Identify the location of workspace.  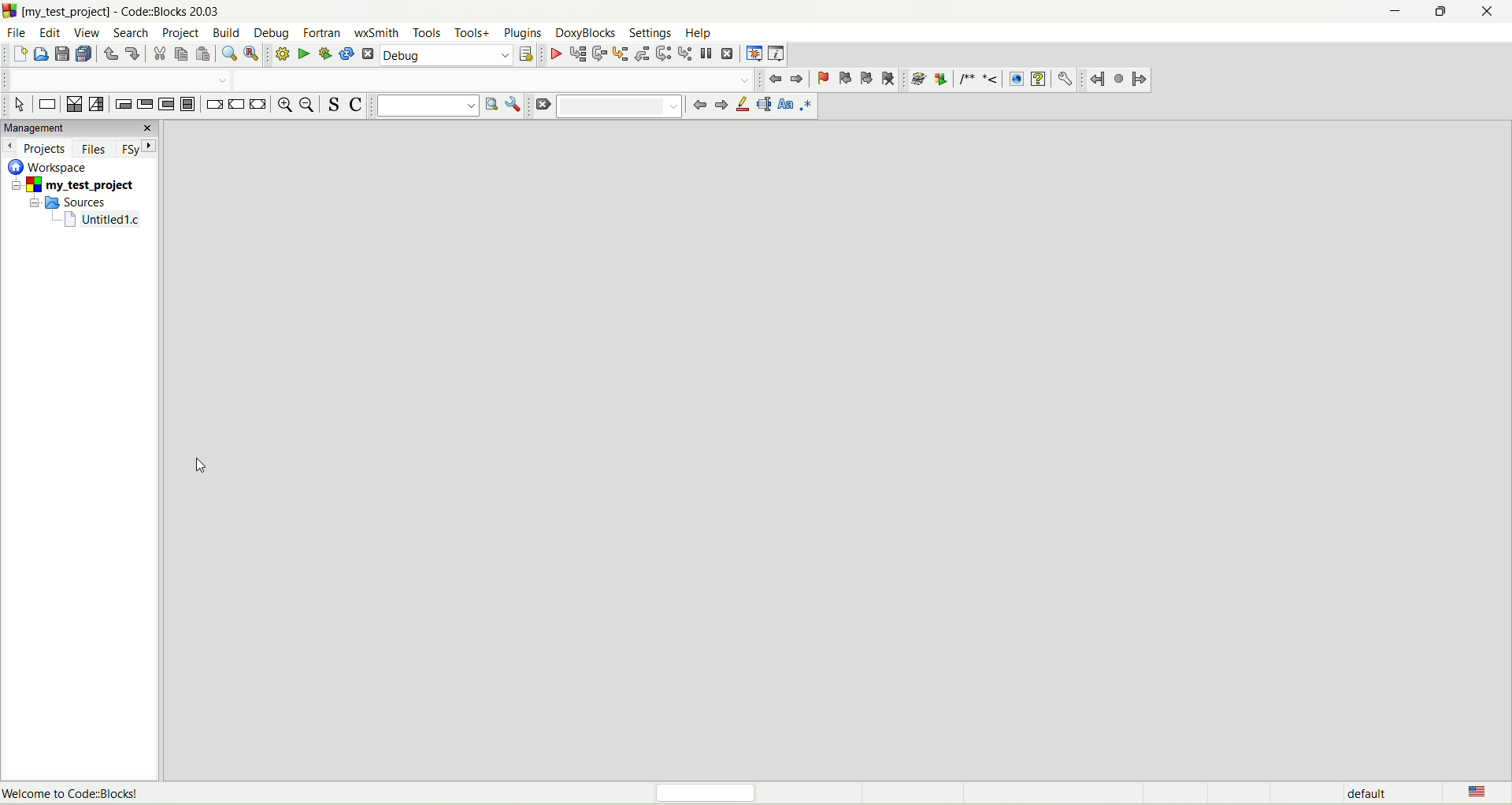
(849, 447).